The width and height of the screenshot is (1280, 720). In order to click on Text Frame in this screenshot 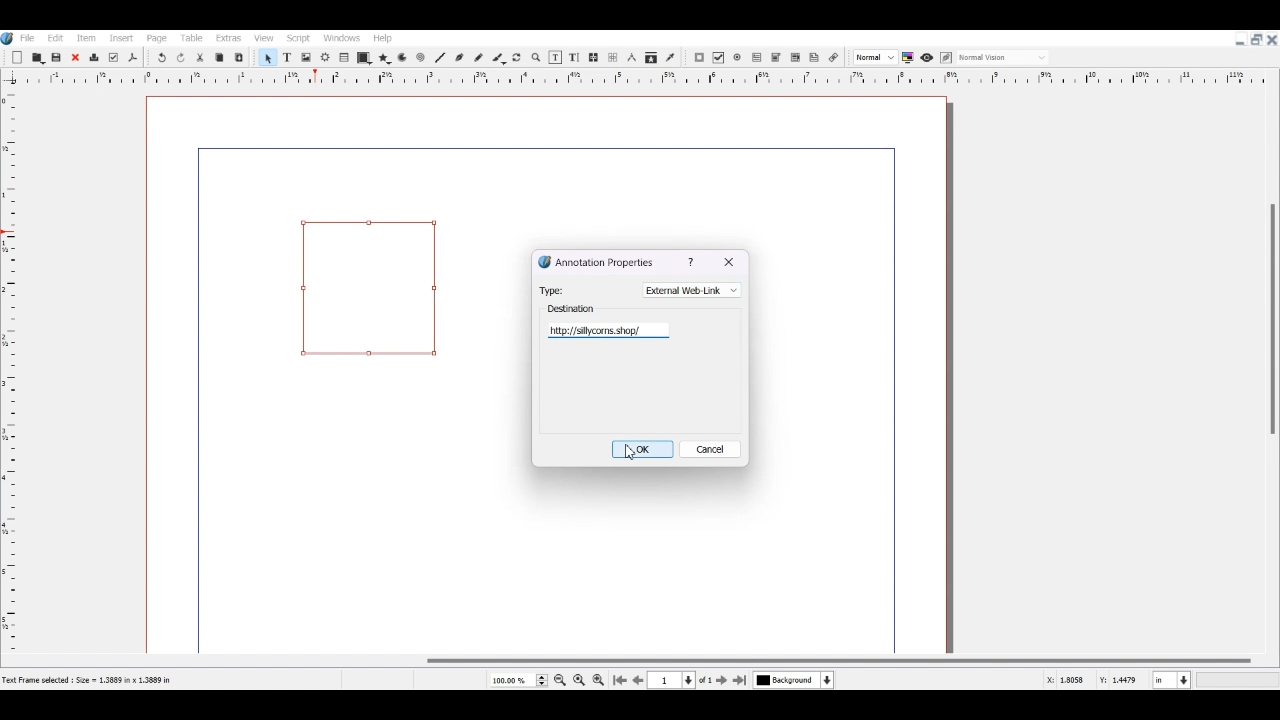, I will do `click(287, 57)`.